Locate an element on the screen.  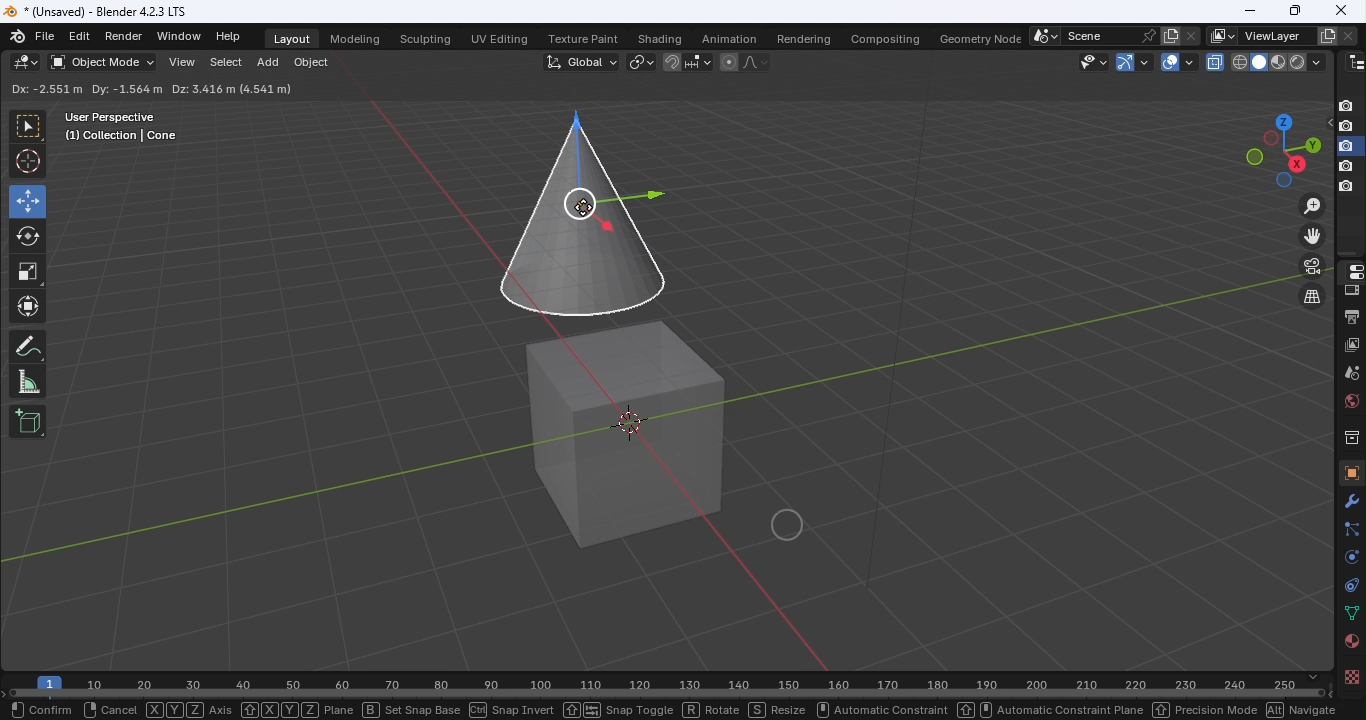
Transform pivot point is located at coordinates (638, 61).